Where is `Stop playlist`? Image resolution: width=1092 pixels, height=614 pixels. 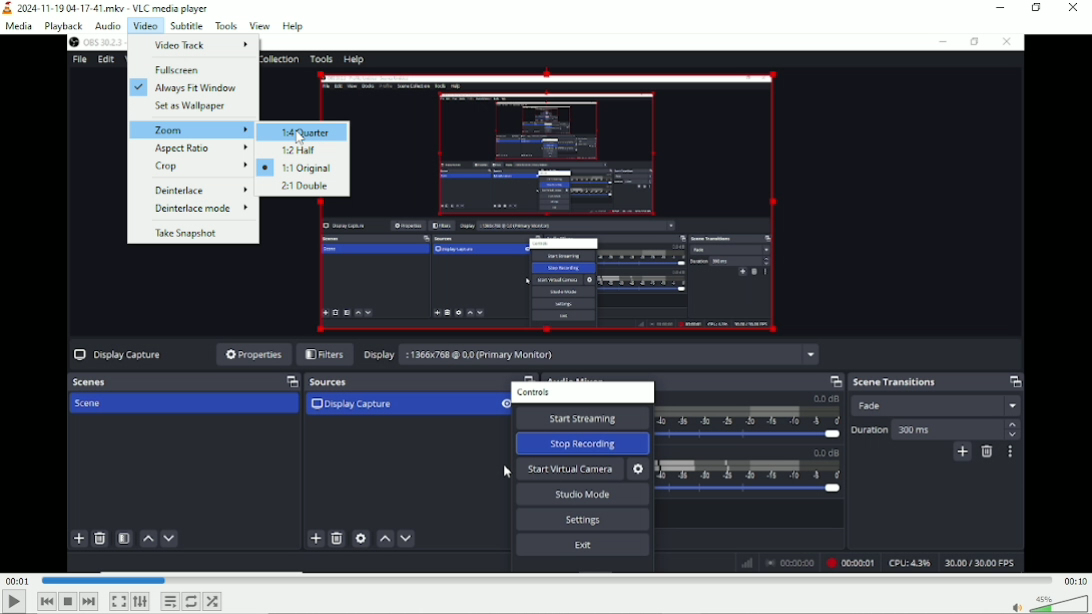 Stop playlist is located at coordinates (68, 601).